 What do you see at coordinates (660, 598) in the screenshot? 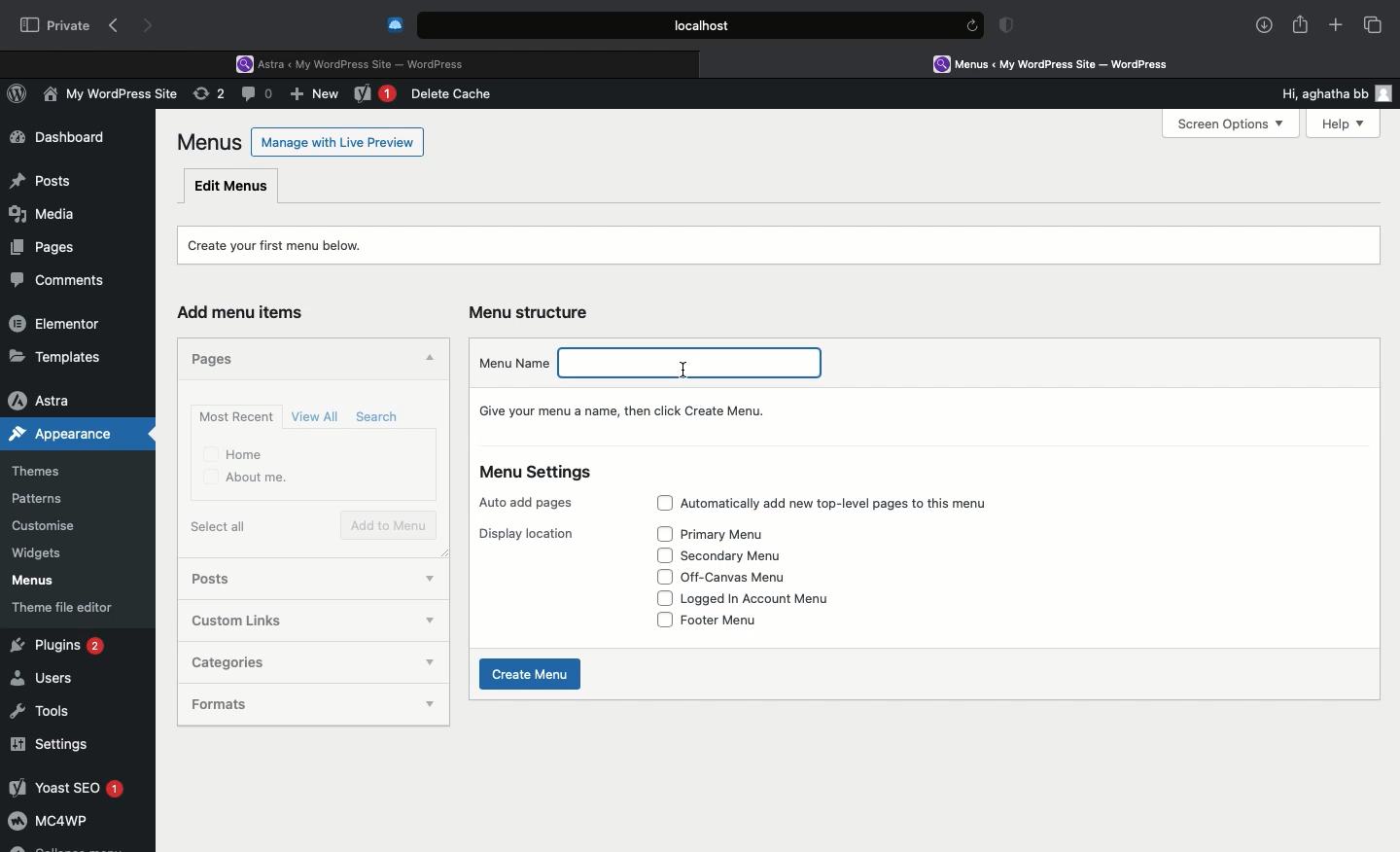
I see `Check box` at bounding box center [660, 598].